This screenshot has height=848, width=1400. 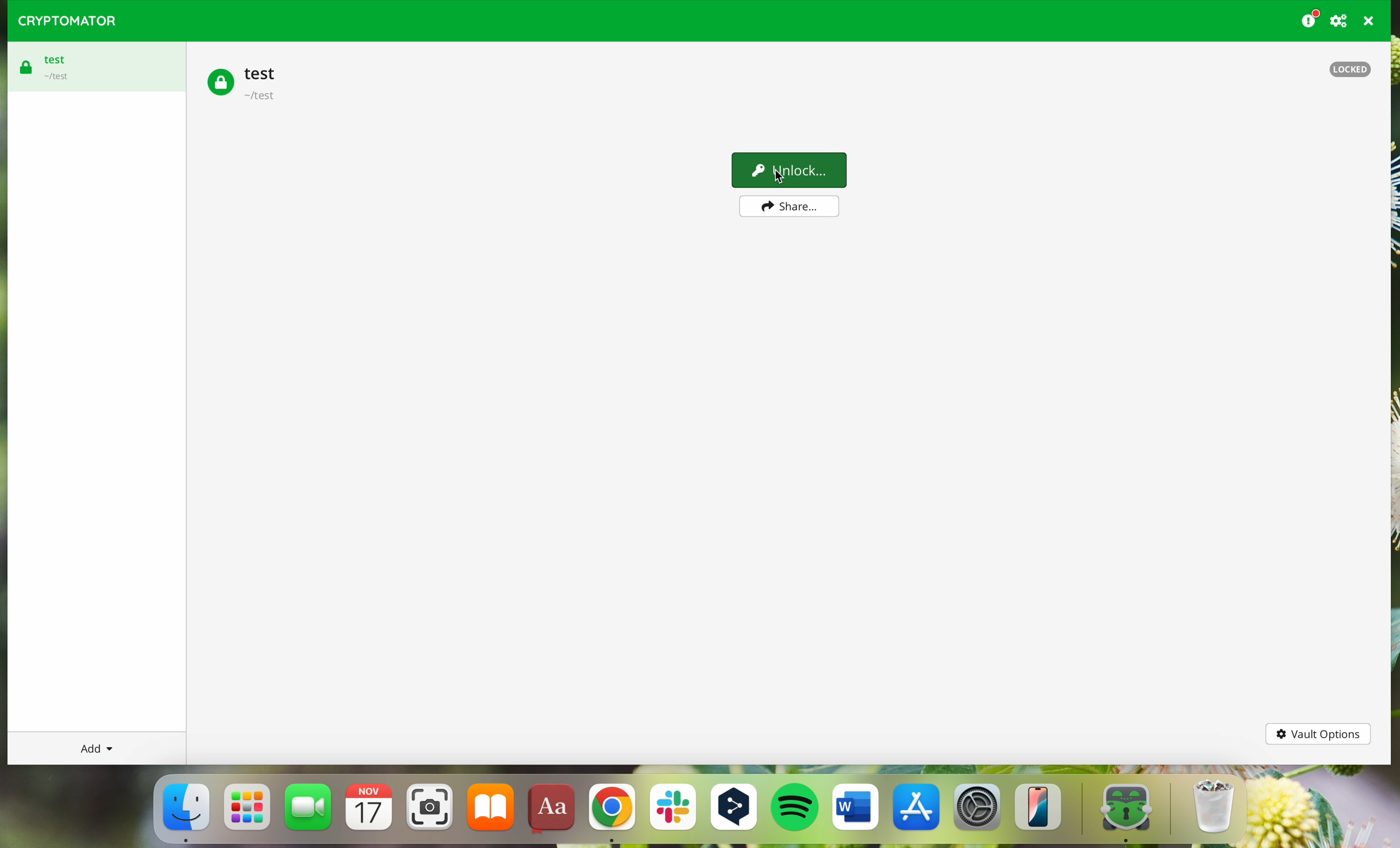 I want to click on add button, so click(x=95, y=748).